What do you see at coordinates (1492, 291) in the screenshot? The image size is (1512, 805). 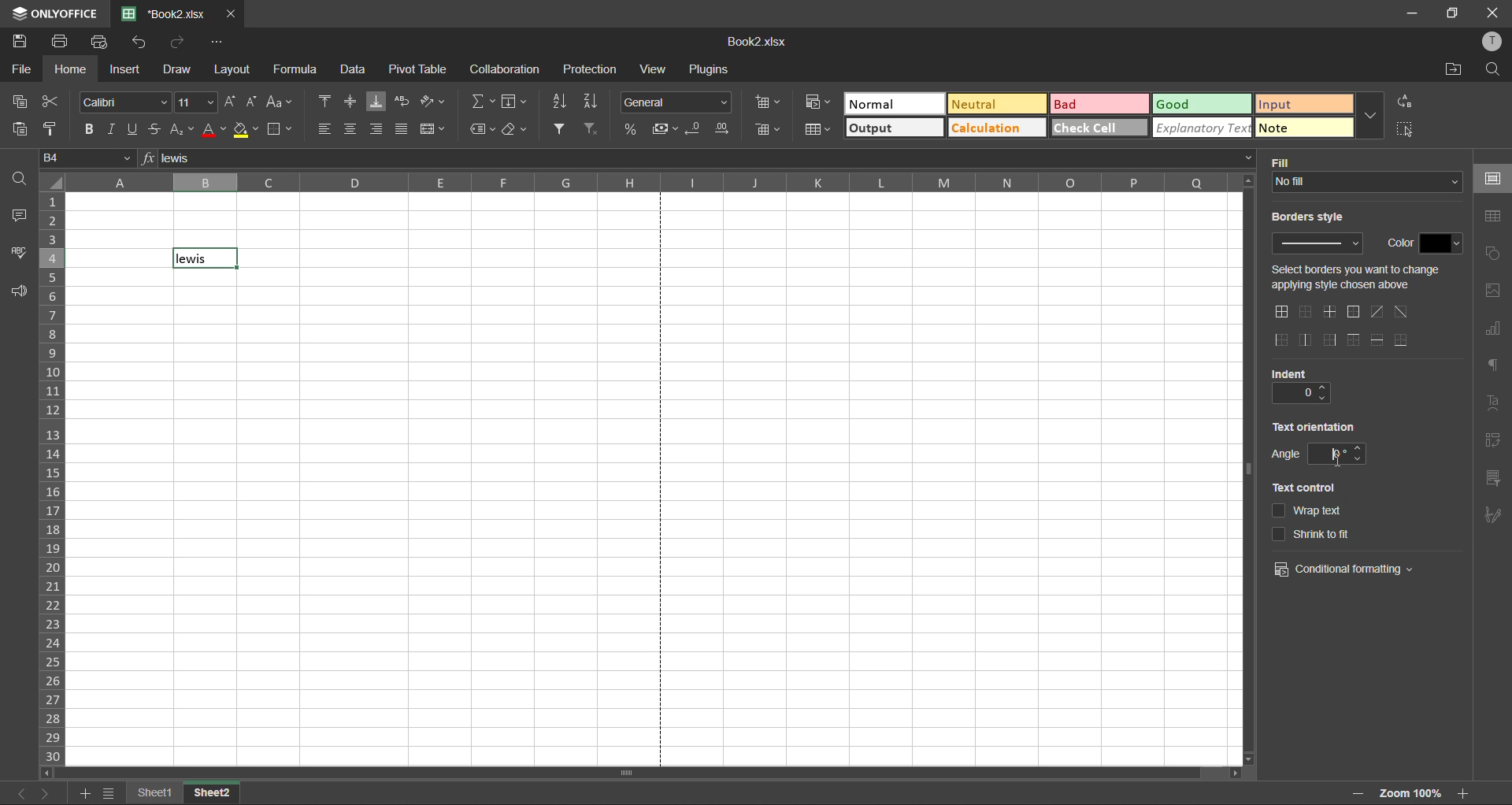 I see `images` at bounding box center [1492, 291].